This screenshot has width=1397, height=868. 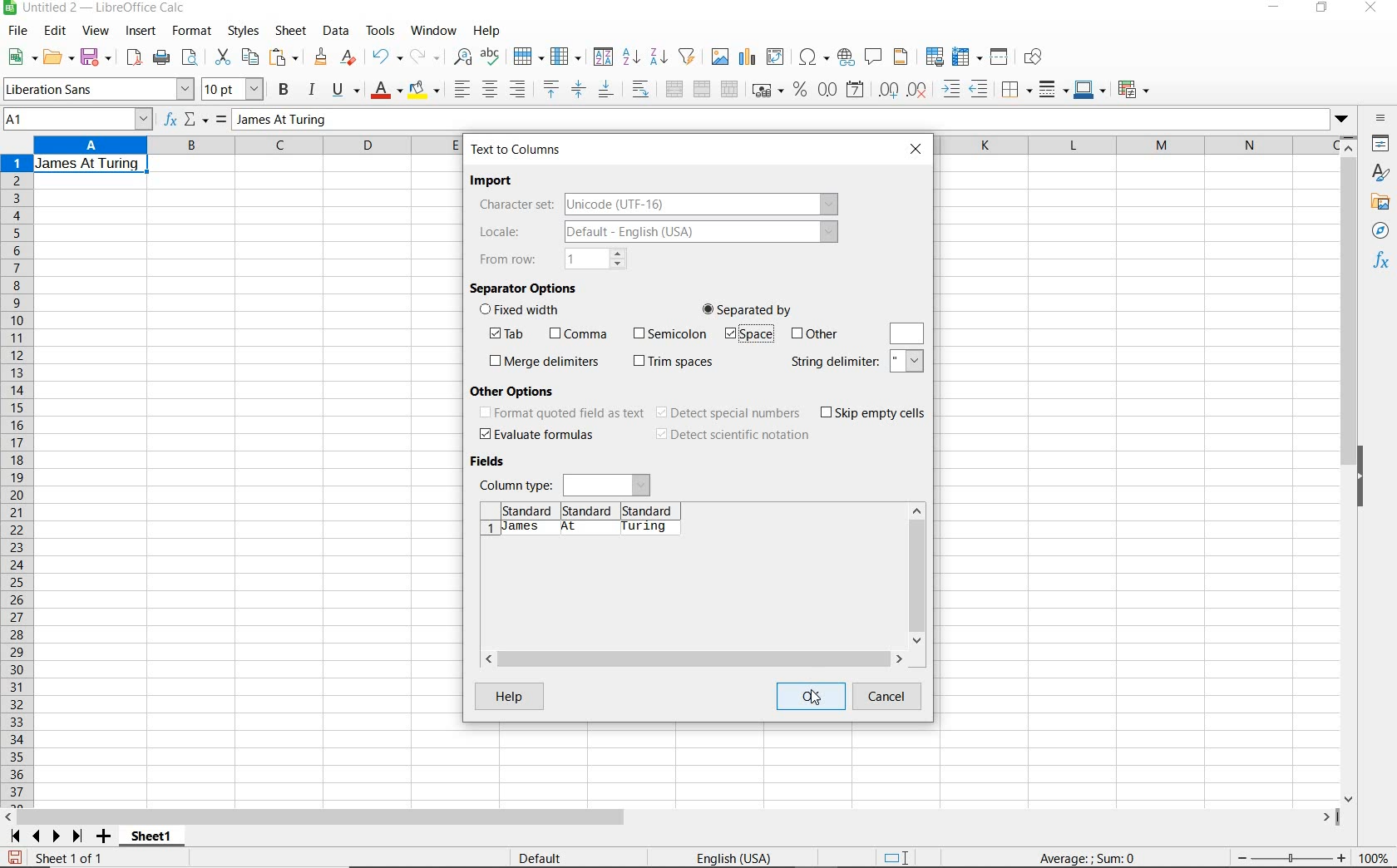 I want to click on insert chart, so click(x=748, y=57).